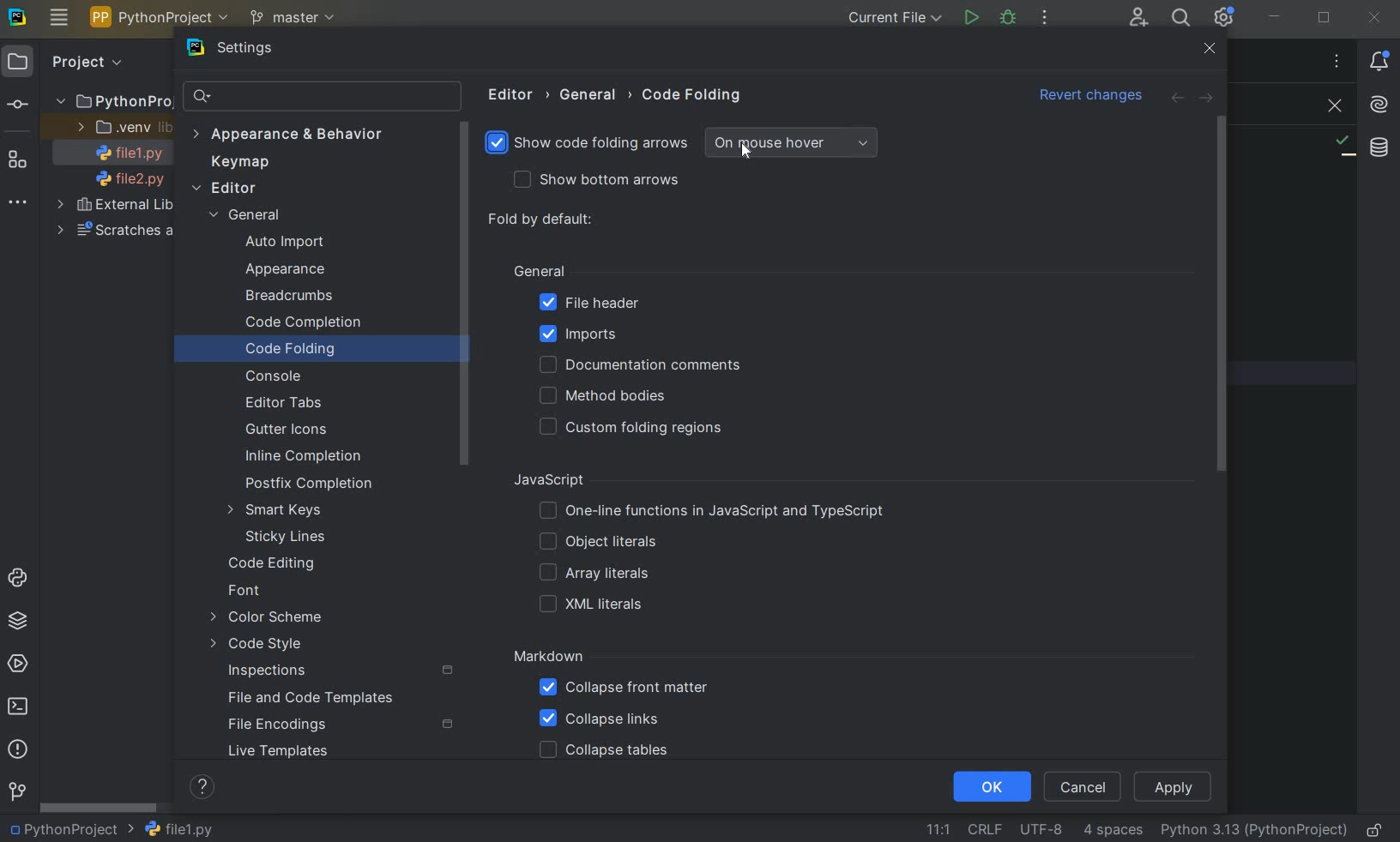  Describe the element at coordinates (306, 485) in the screenshot. I see `POSTFIX COMPLETION` at that location.